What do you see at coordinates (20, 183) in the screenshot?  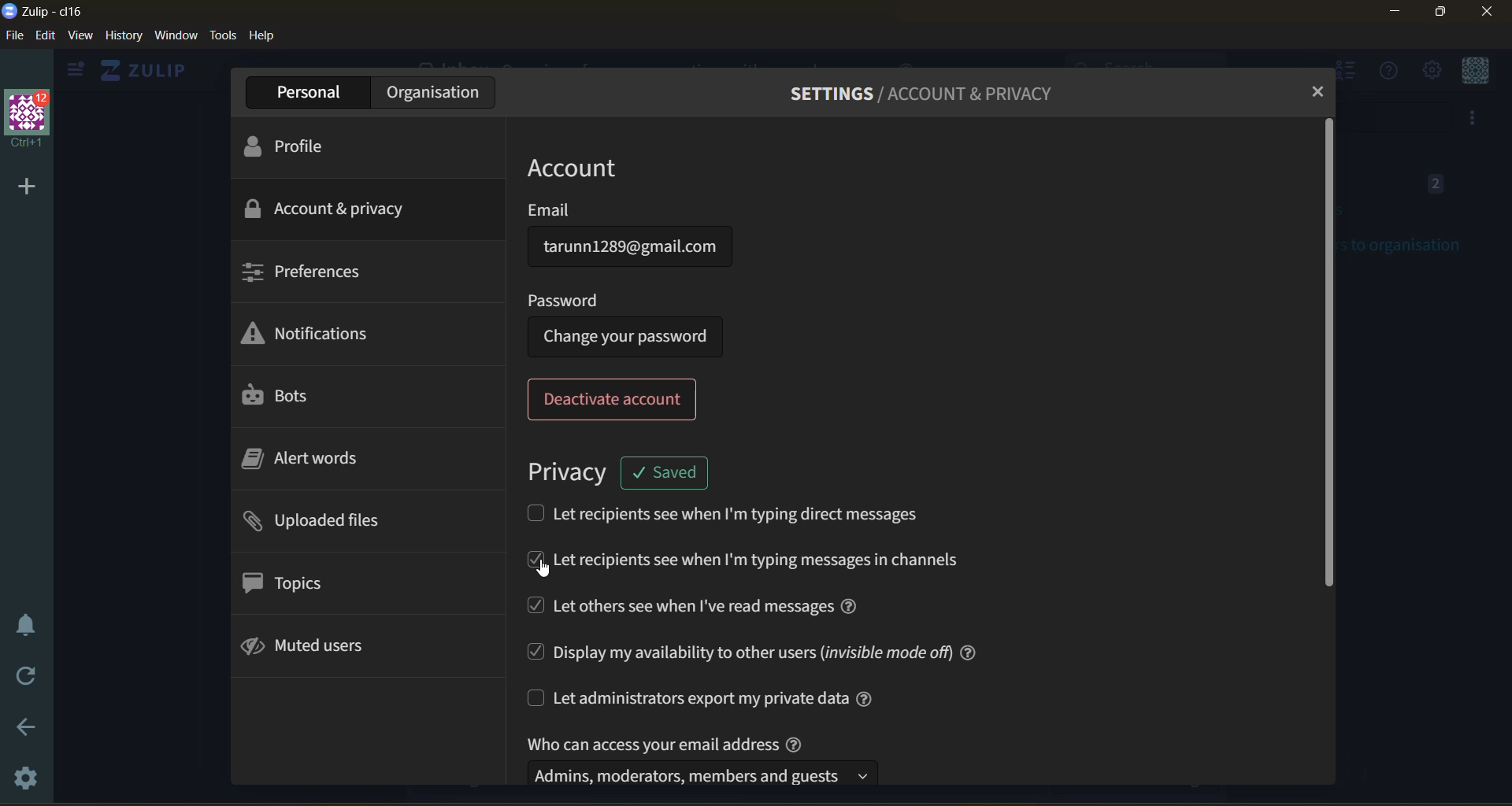 I see `add organisation` at bounding box center [20, 183].